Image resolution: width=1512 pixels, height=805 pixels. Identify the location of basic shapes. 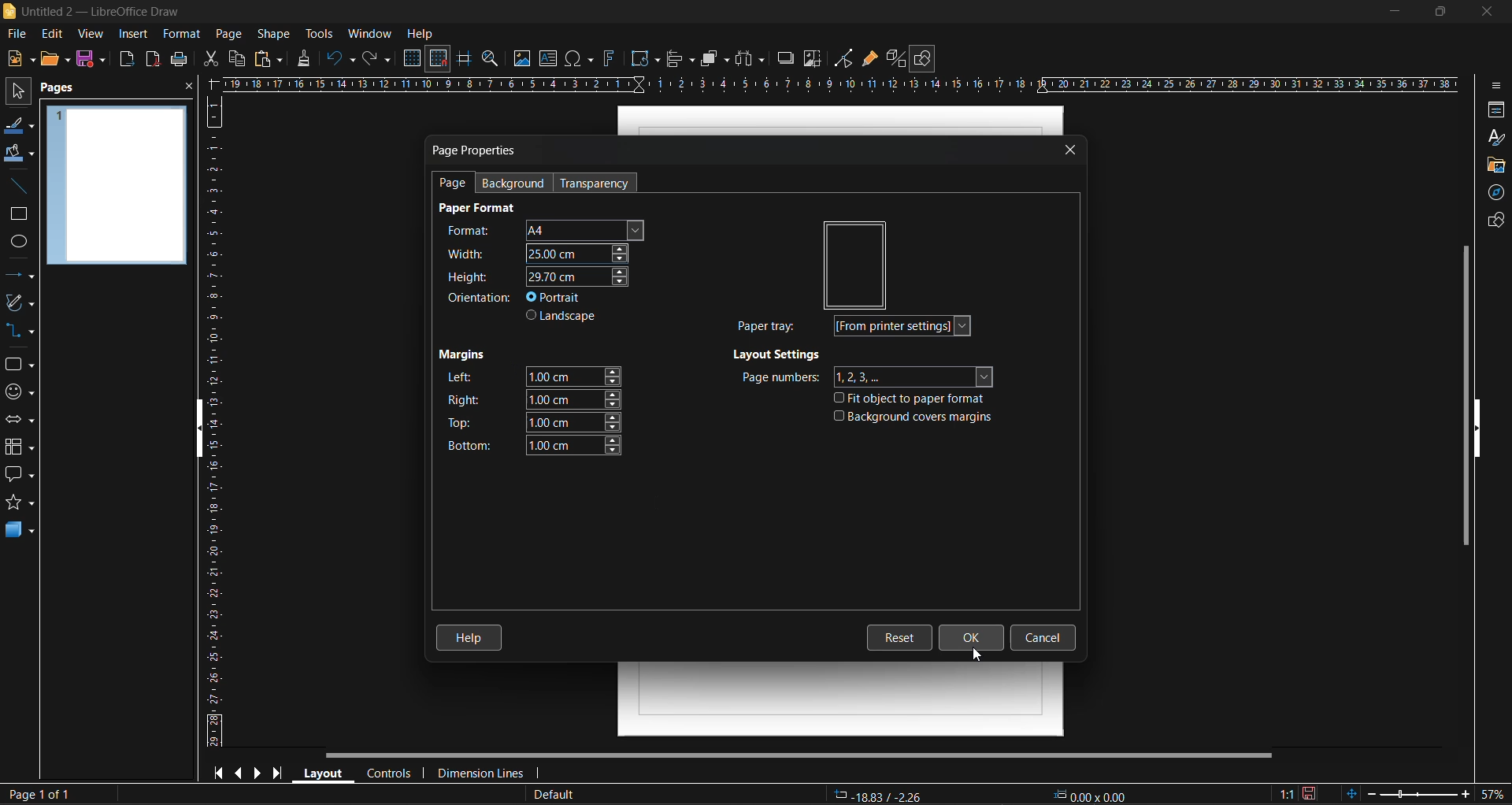
(22, 365).